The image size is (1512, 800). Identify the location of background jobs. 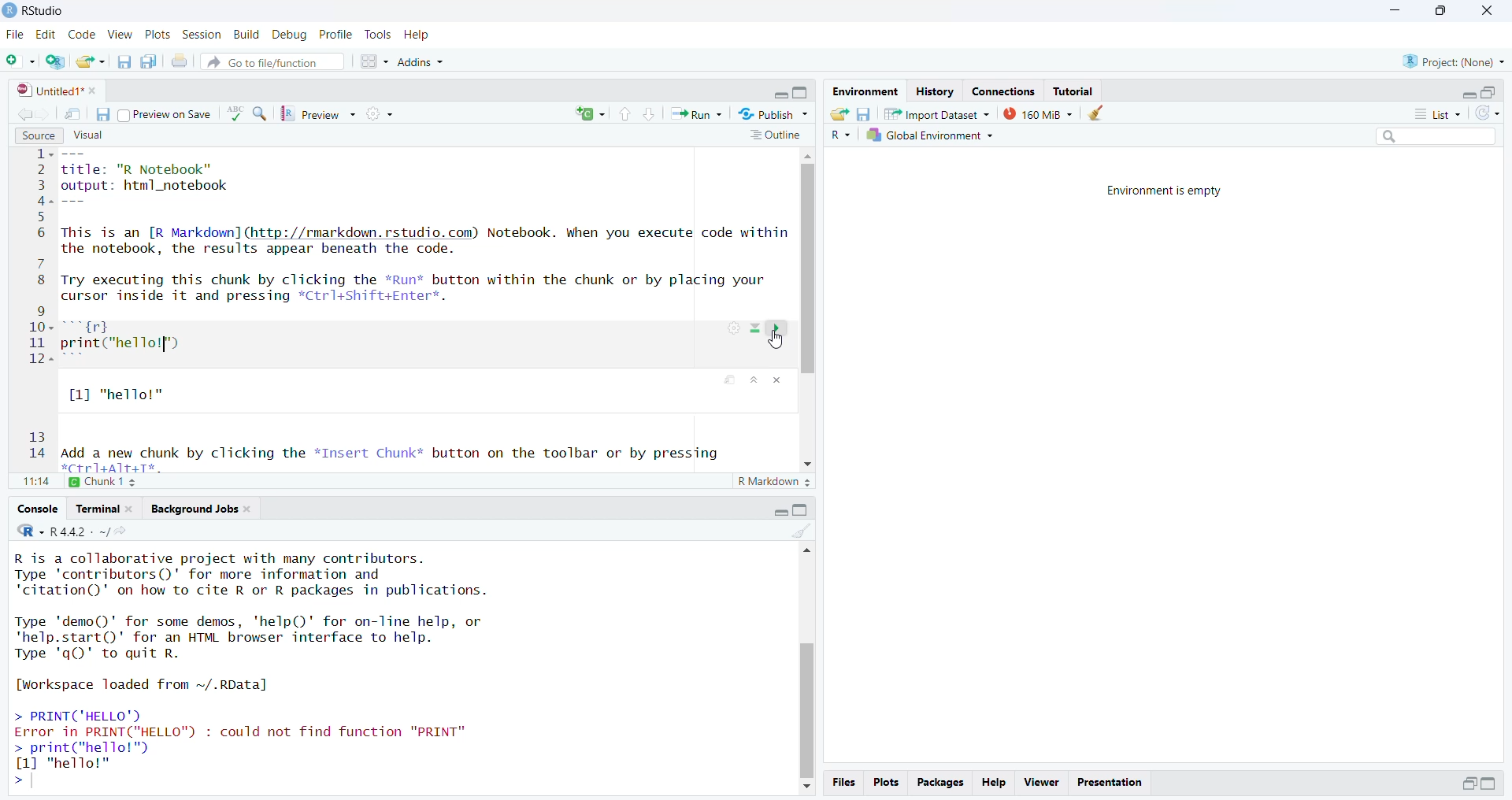
(202, 509).